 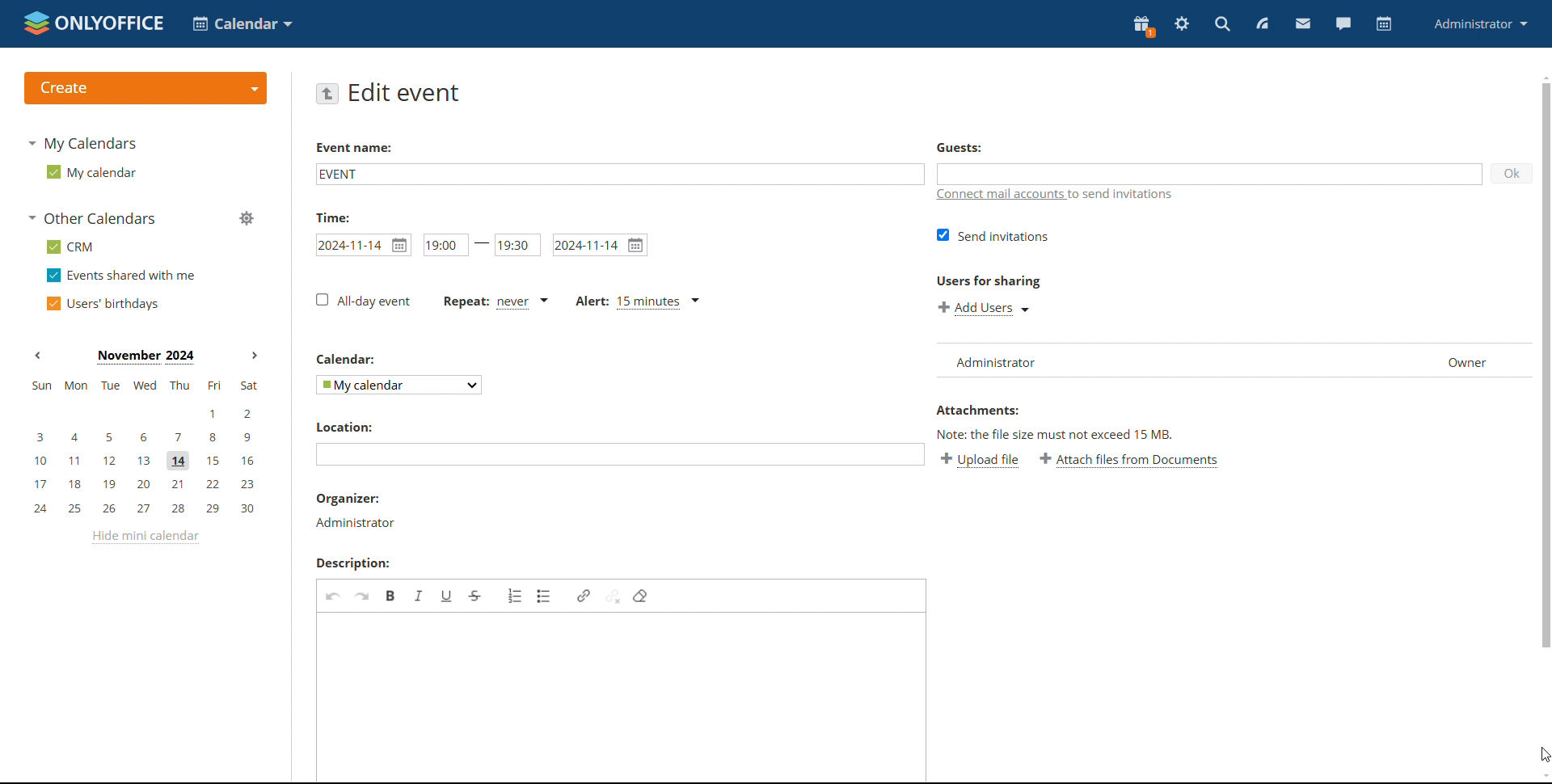 I want to click on -, so click(x=482, y=243).